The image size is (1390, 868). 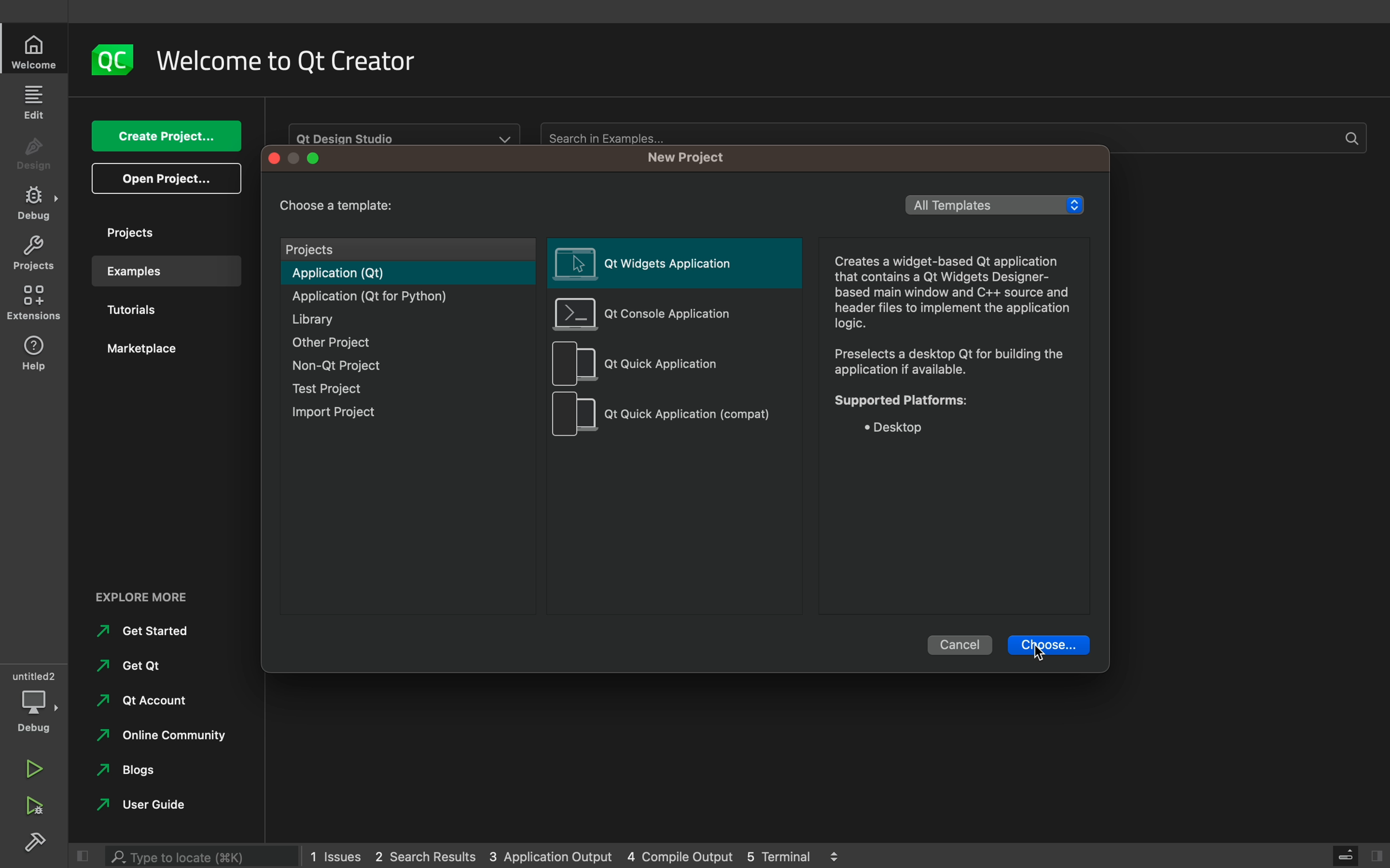 What do you see at coordinates (144, 632) in the screenshot?
I see `Get started` at bounding box center [144, 632].